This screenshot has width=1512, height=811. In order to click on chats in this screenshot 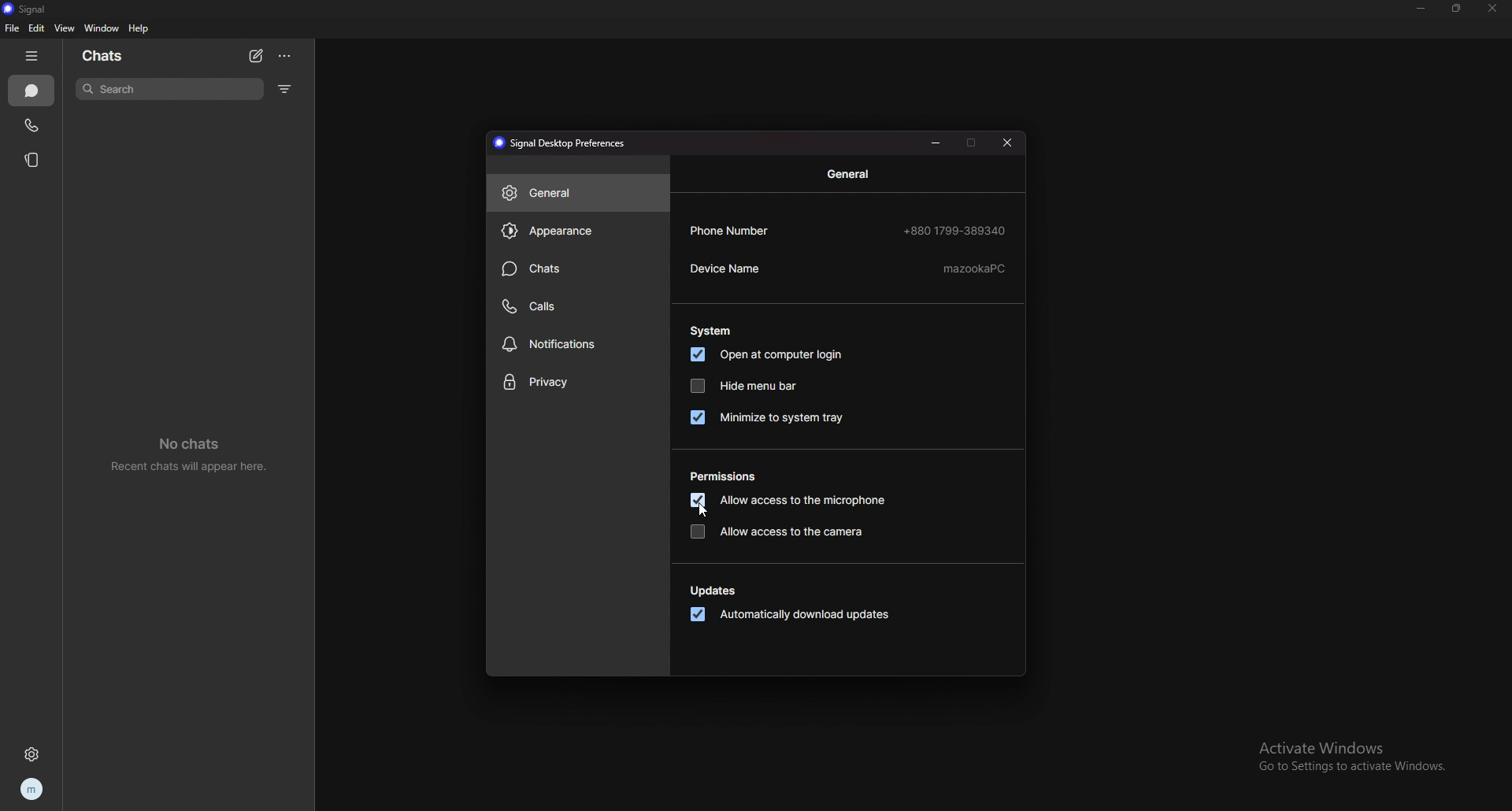, I will do `click(122, 54)`.